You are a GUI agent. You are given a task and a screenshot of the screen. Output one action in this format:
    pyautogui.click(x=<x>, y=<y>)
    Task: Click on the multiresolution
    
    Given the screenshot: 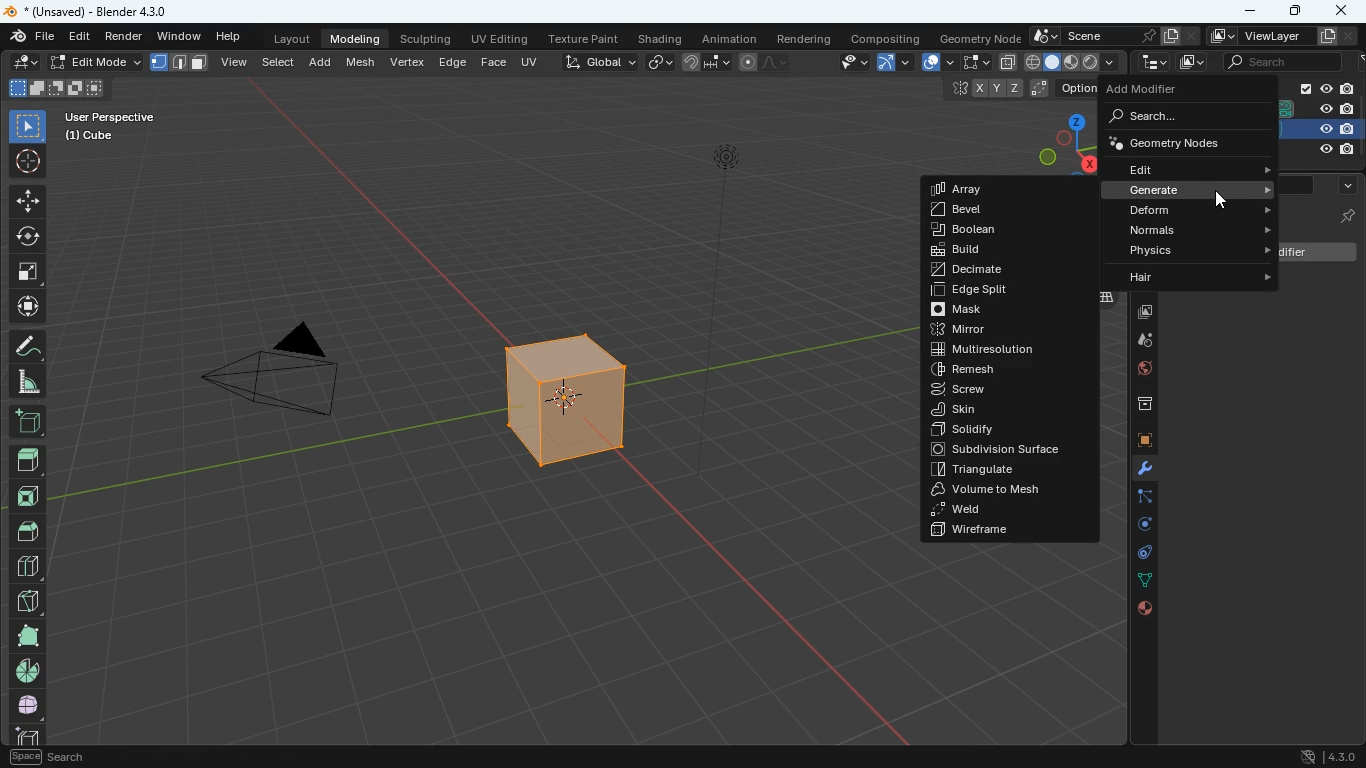 What is the action you would take?
    pyautogui.click(x=999, y=351)
    